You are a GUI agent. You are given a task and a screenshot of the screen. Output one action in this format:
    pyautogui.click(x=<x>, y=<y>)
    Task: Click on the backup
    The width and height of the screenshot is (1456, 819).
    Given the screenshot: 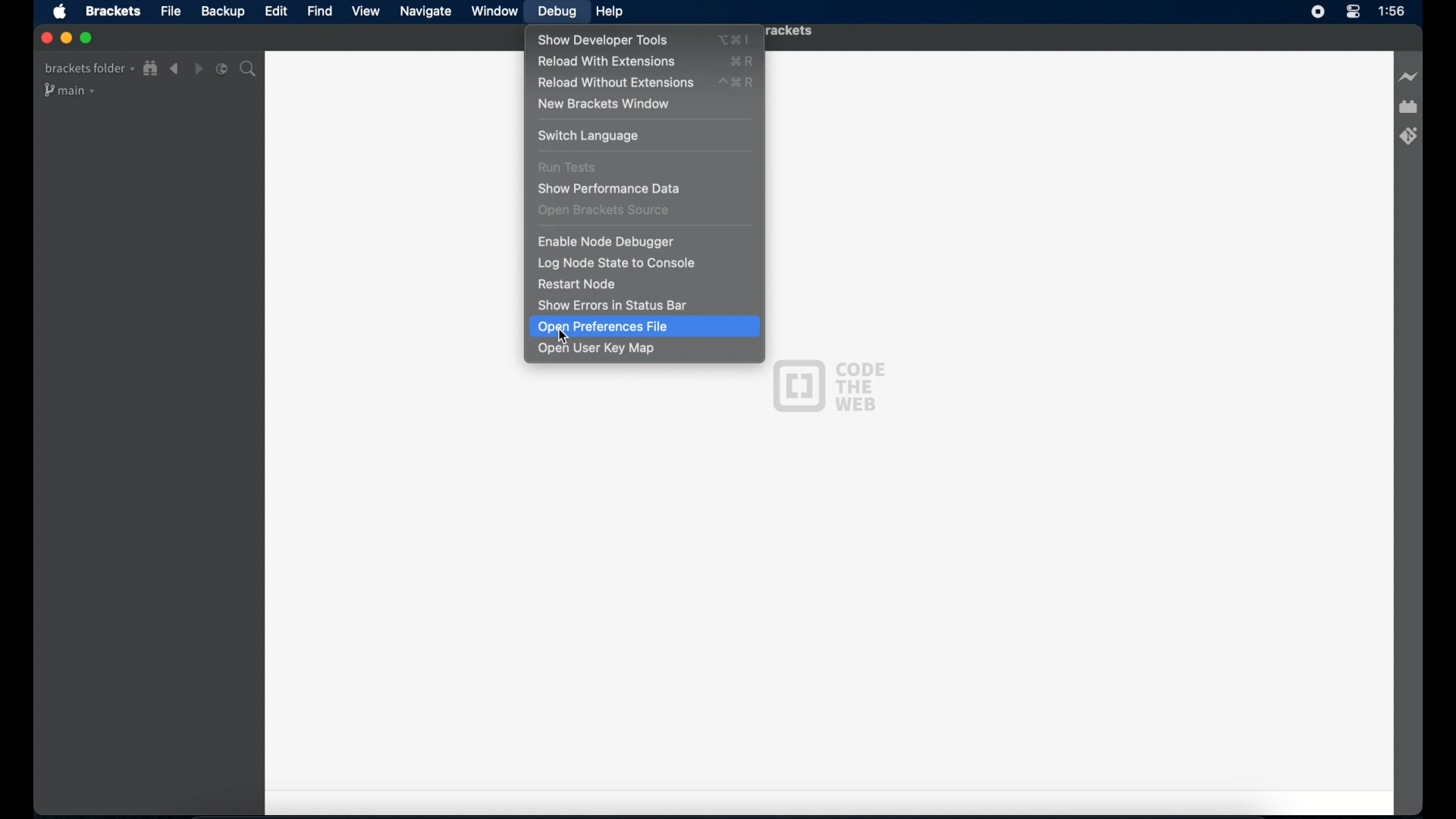 What is the action you would take?
    pyautogui.click(x=223, y=11)
    